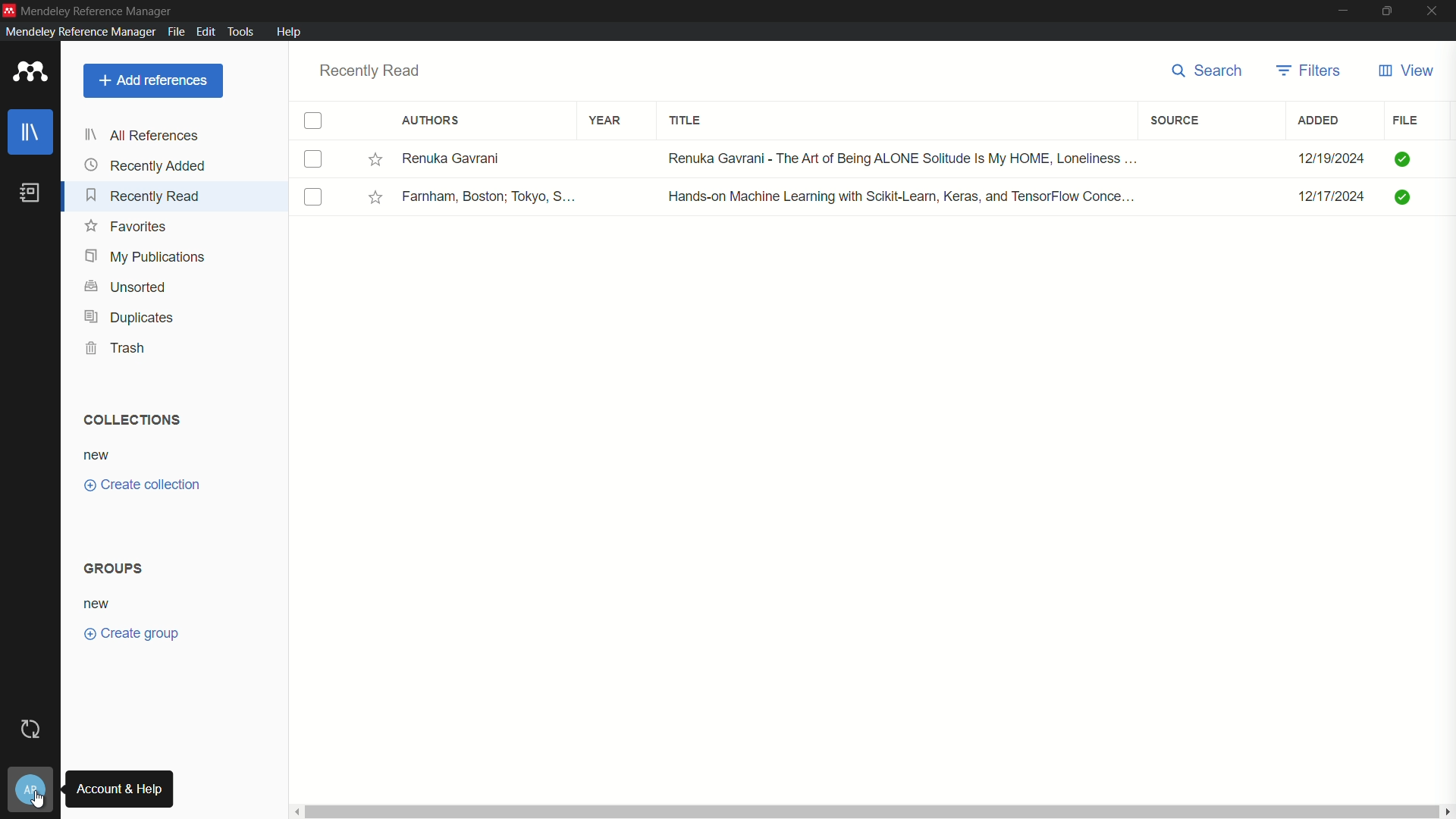  What do you see at coordinates (131, 633) in the screenshot?
I see `create group` at bounding box center [131, 633].